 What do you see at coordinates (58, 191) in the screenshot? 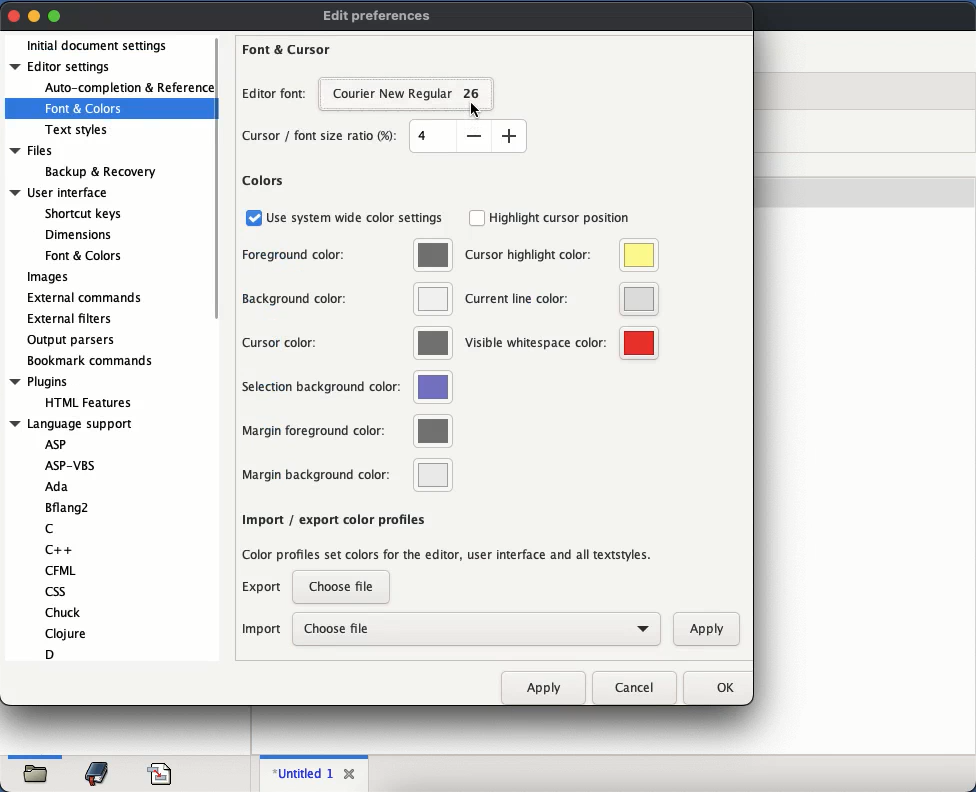
I see `User interface` at bounding box center [58, 191].